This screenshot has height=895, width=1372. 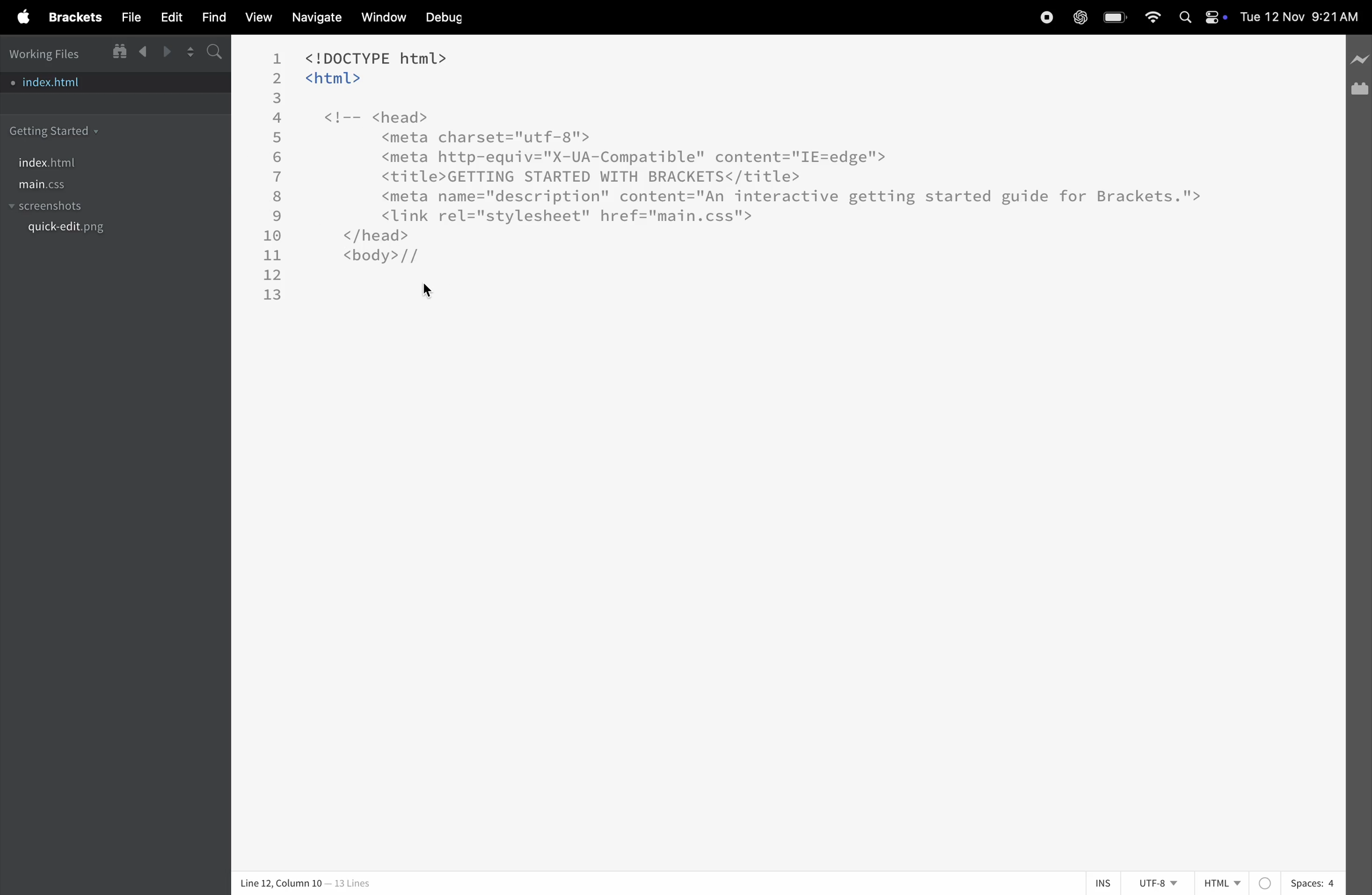 What do you see at coordinates (451, 16) in the screenshot?
I see `debug` at bounding box center [451, 16].